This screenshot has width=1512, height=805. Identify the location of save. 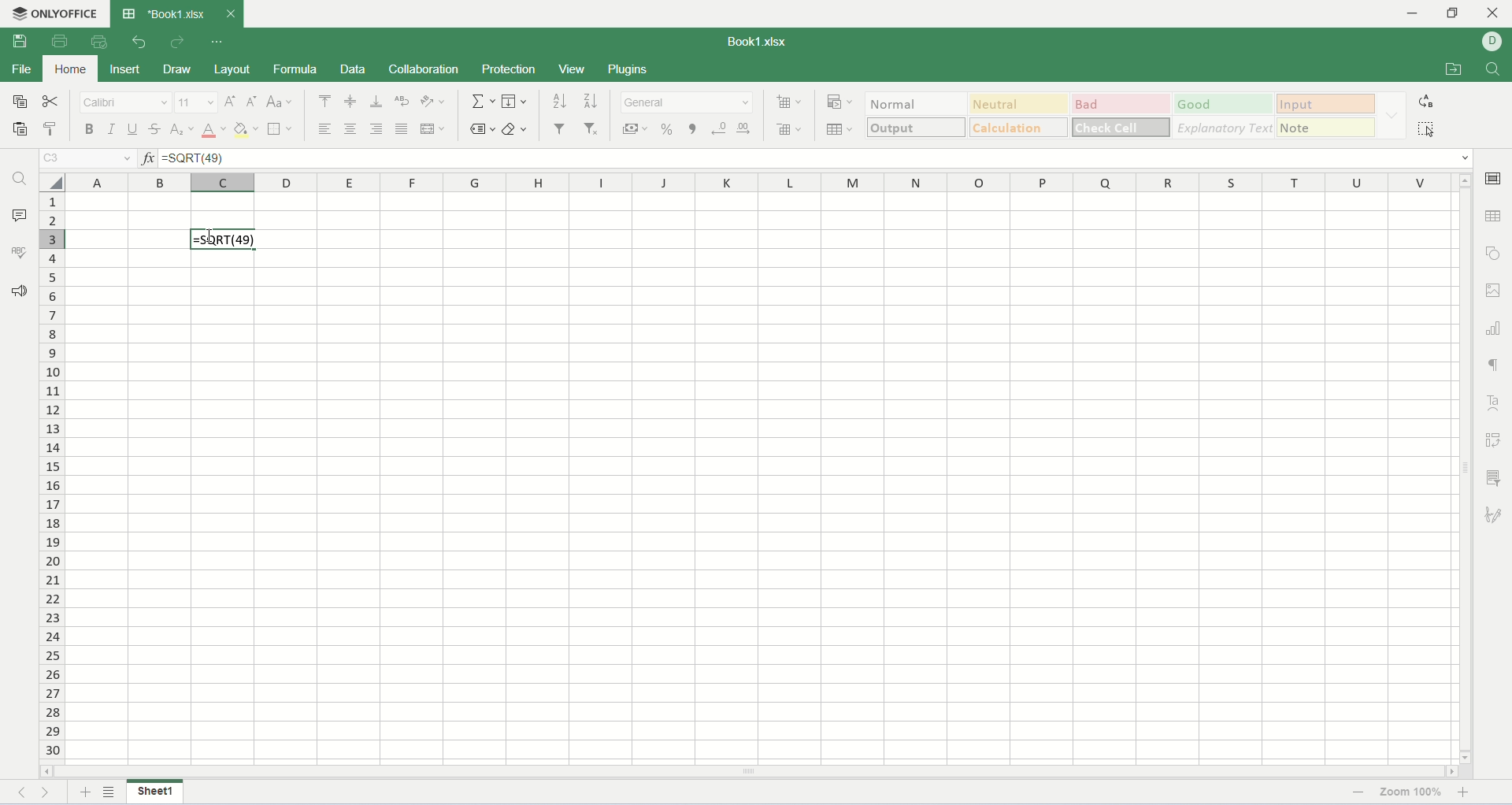
(24, 42).